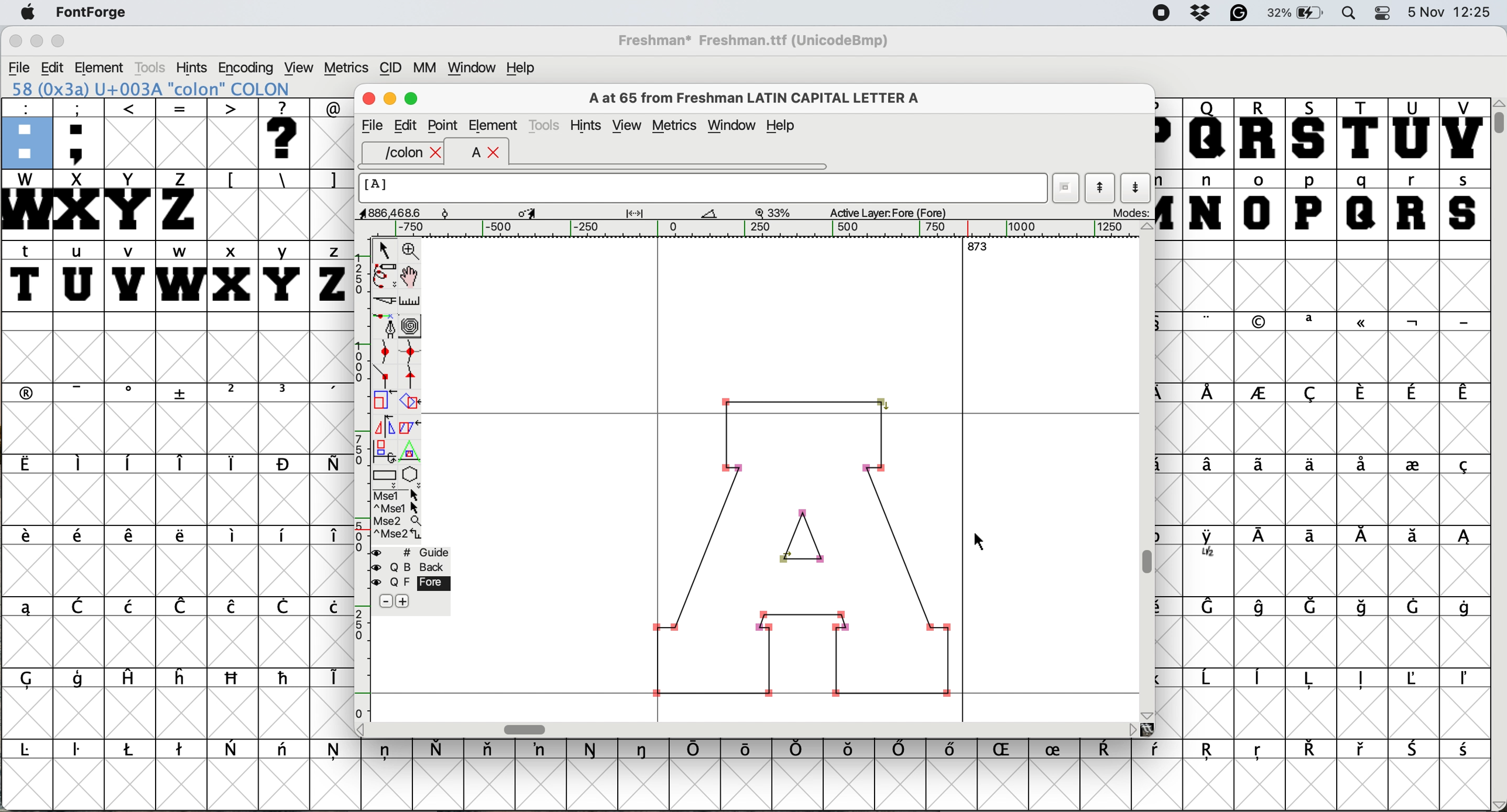 The width and height of the screenshot is (1507, 812). Describe the element at coordinates (32, 750) in the screenshot. I see `symbol` at that location.